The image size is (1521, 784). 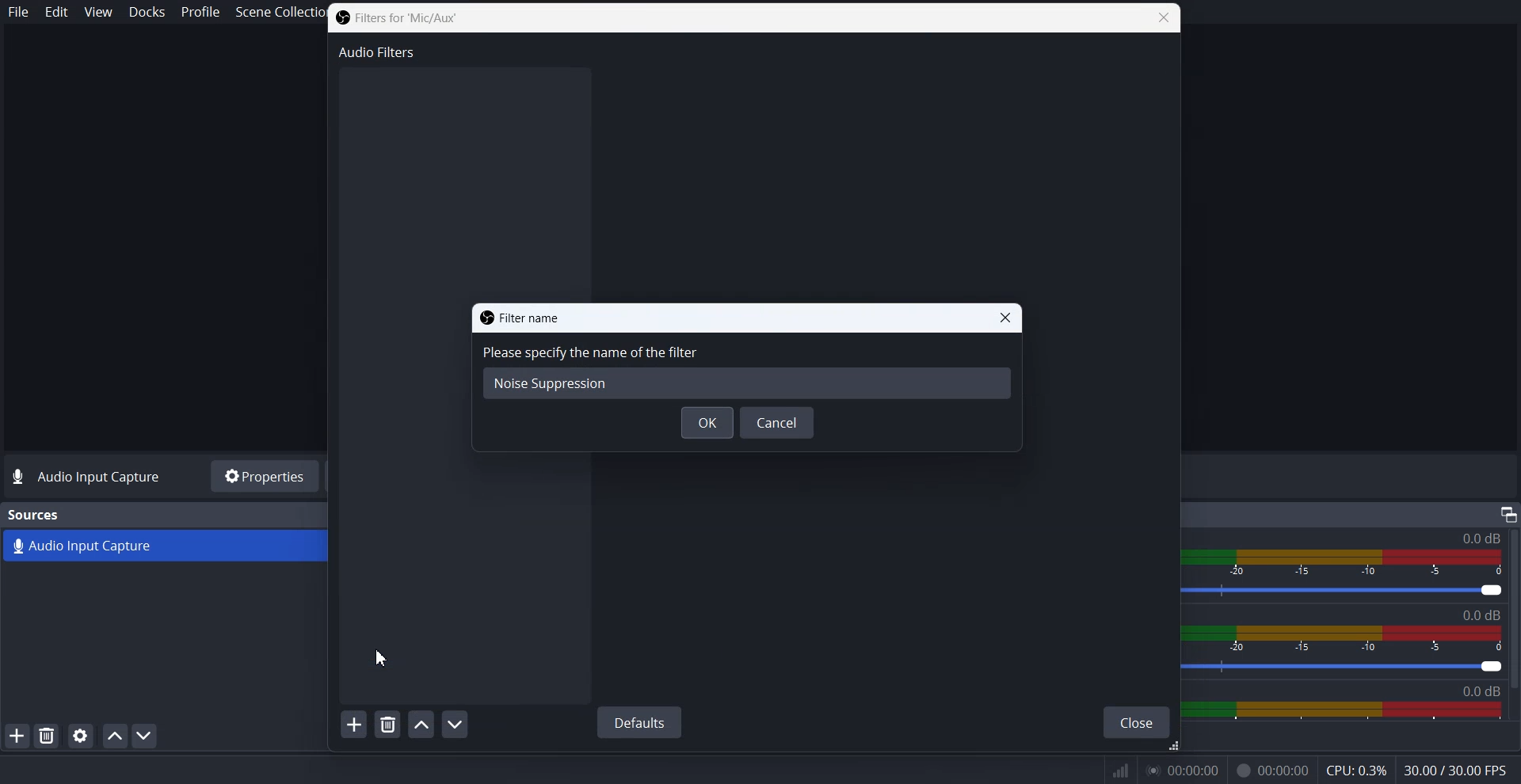 What do you see at coordinates (17, 735) in the screenshot?
I see `Add Source` at bounding box center [17, 735].